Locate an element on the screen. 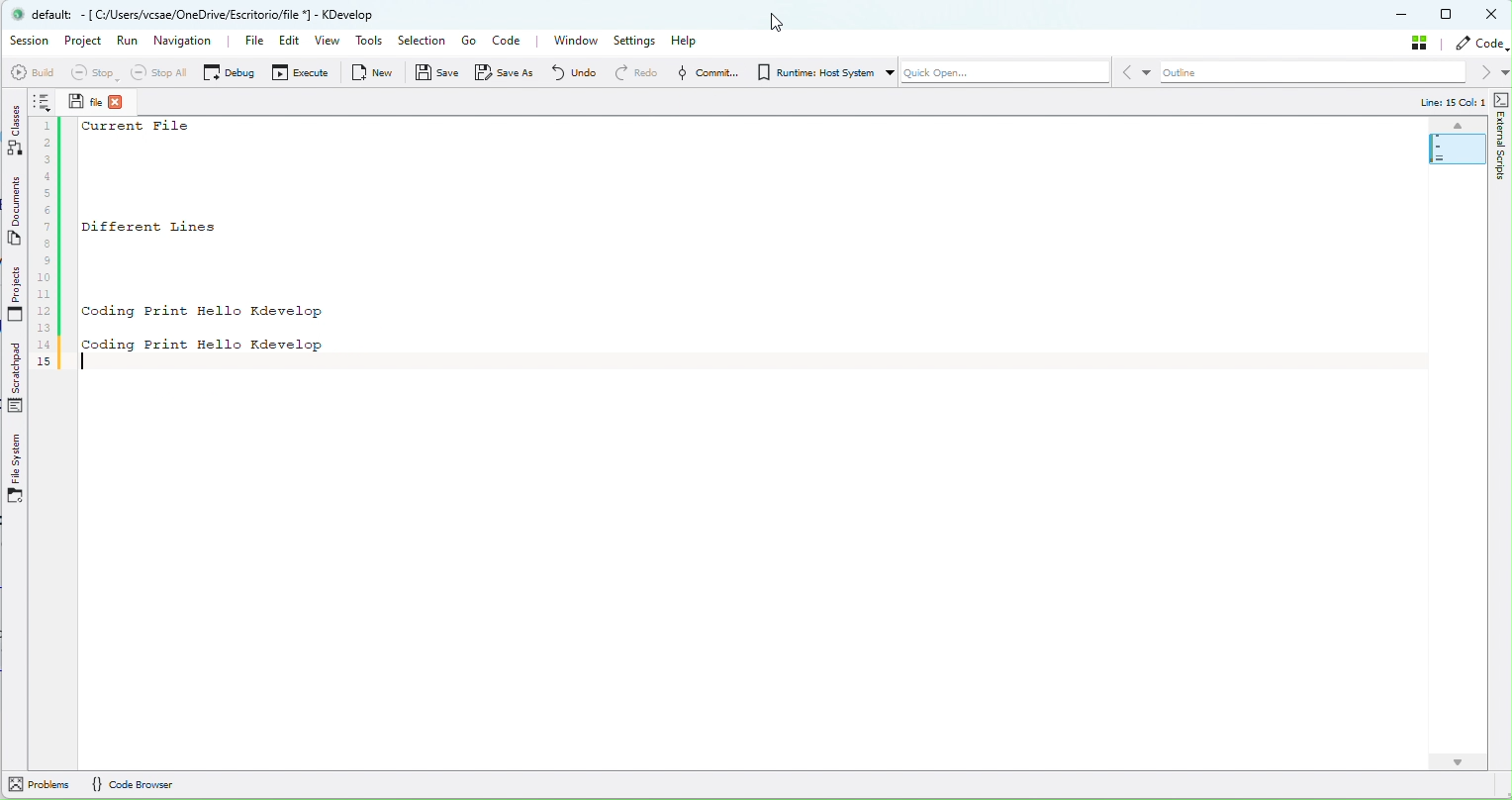  Quick Open is located at coordinates (996, 75).